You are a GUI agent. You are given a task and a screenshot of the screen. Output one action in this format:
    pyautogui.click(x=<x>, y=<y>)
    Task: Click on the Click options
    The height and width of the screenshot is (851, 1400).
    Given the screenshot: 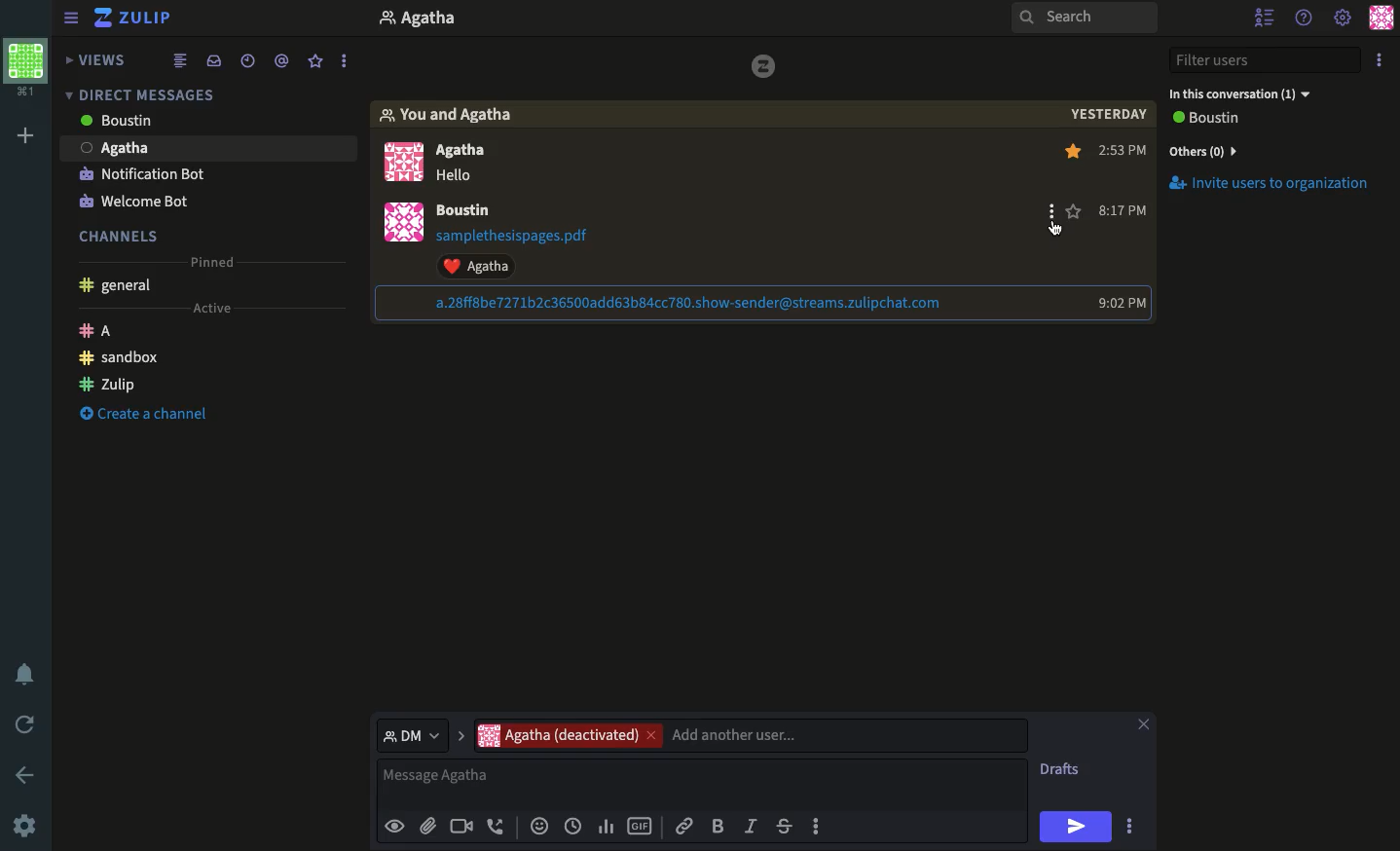 What is the action you would take?
    pyautogui.click(x=1050, y=214)
    